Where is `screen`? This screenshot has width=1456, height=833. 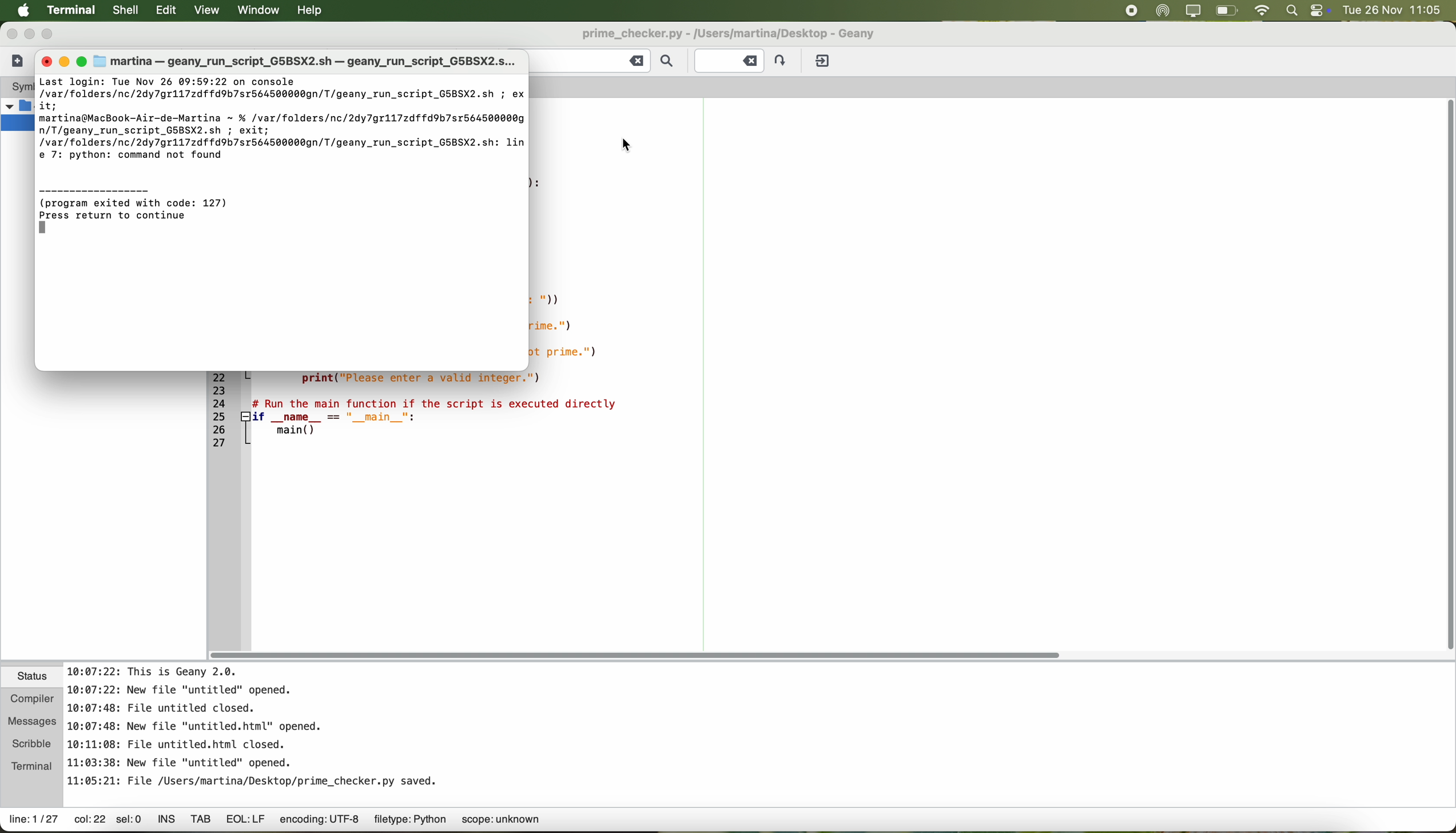
screen is located at coordinates (1193, 11).